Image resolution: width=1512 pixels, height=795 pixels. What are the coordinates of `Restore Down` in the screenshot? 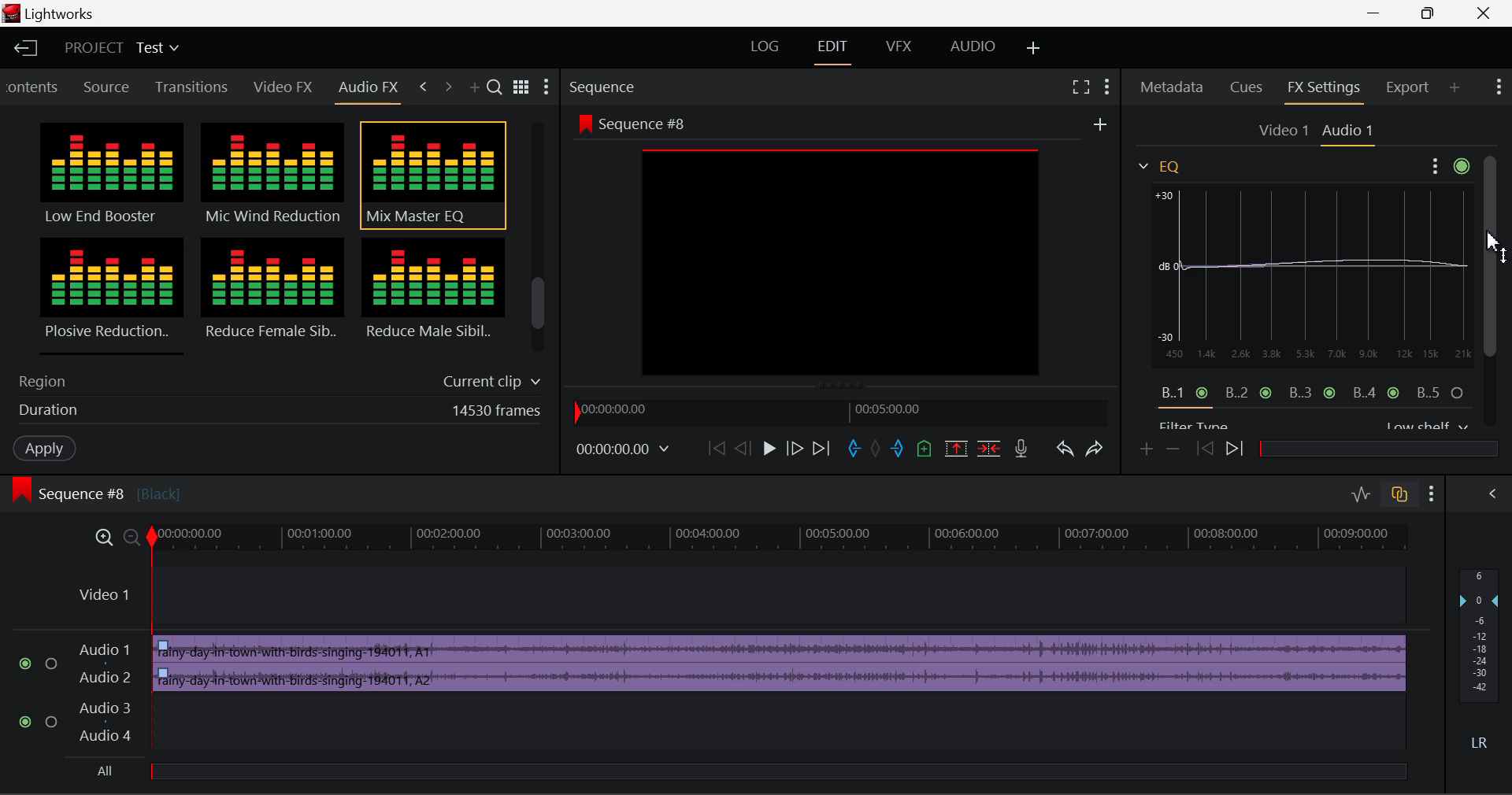 It's located at (1380, 13).